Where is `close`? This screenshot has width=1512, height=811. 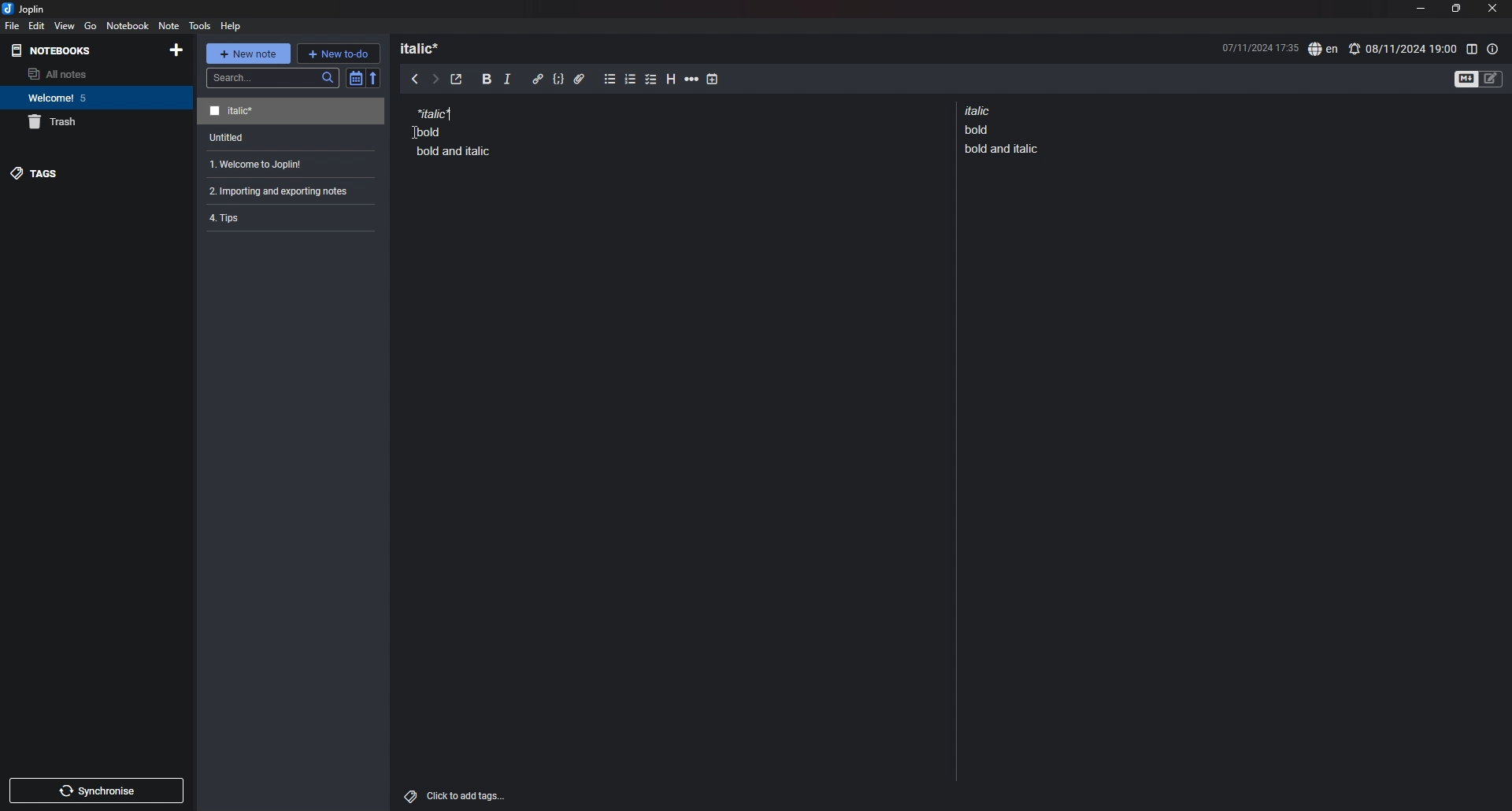
close is located at coordinates (1494, 8).